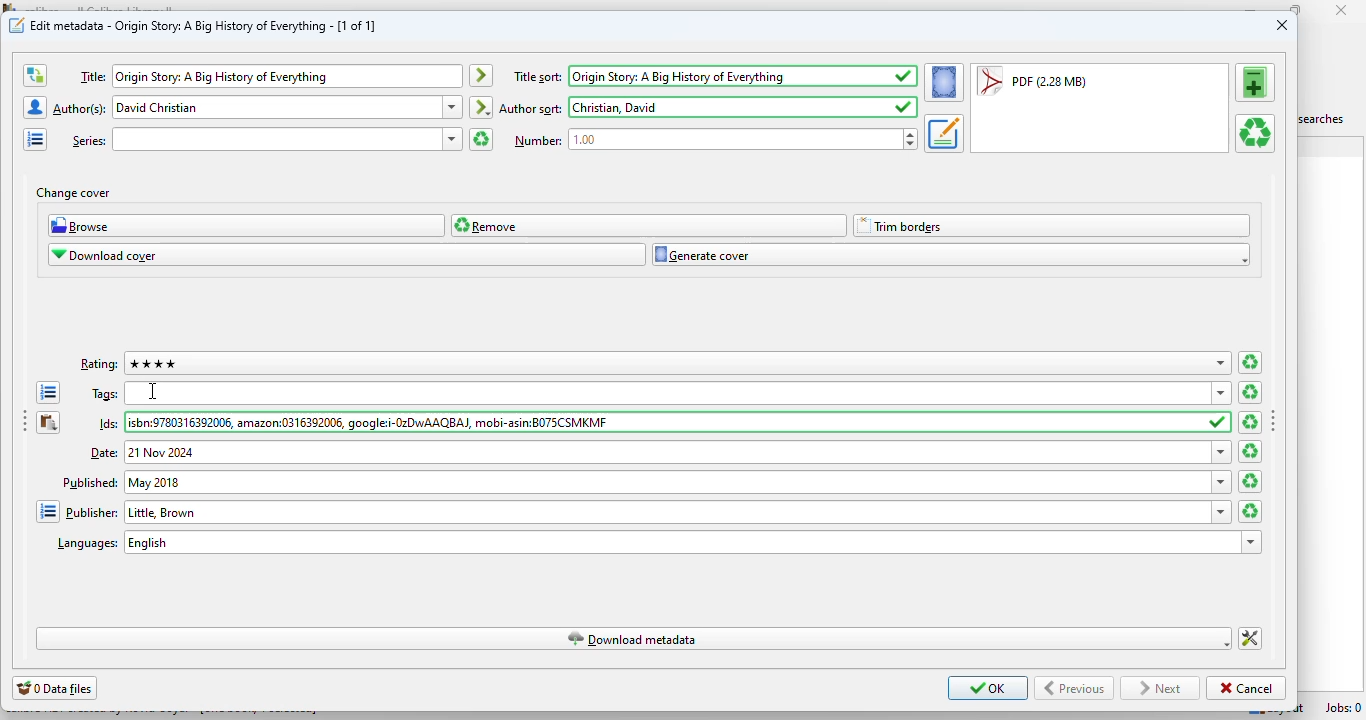  Describe the element at coordinates (1051, 226) in the screenshot. I see `trim borders` at that location.